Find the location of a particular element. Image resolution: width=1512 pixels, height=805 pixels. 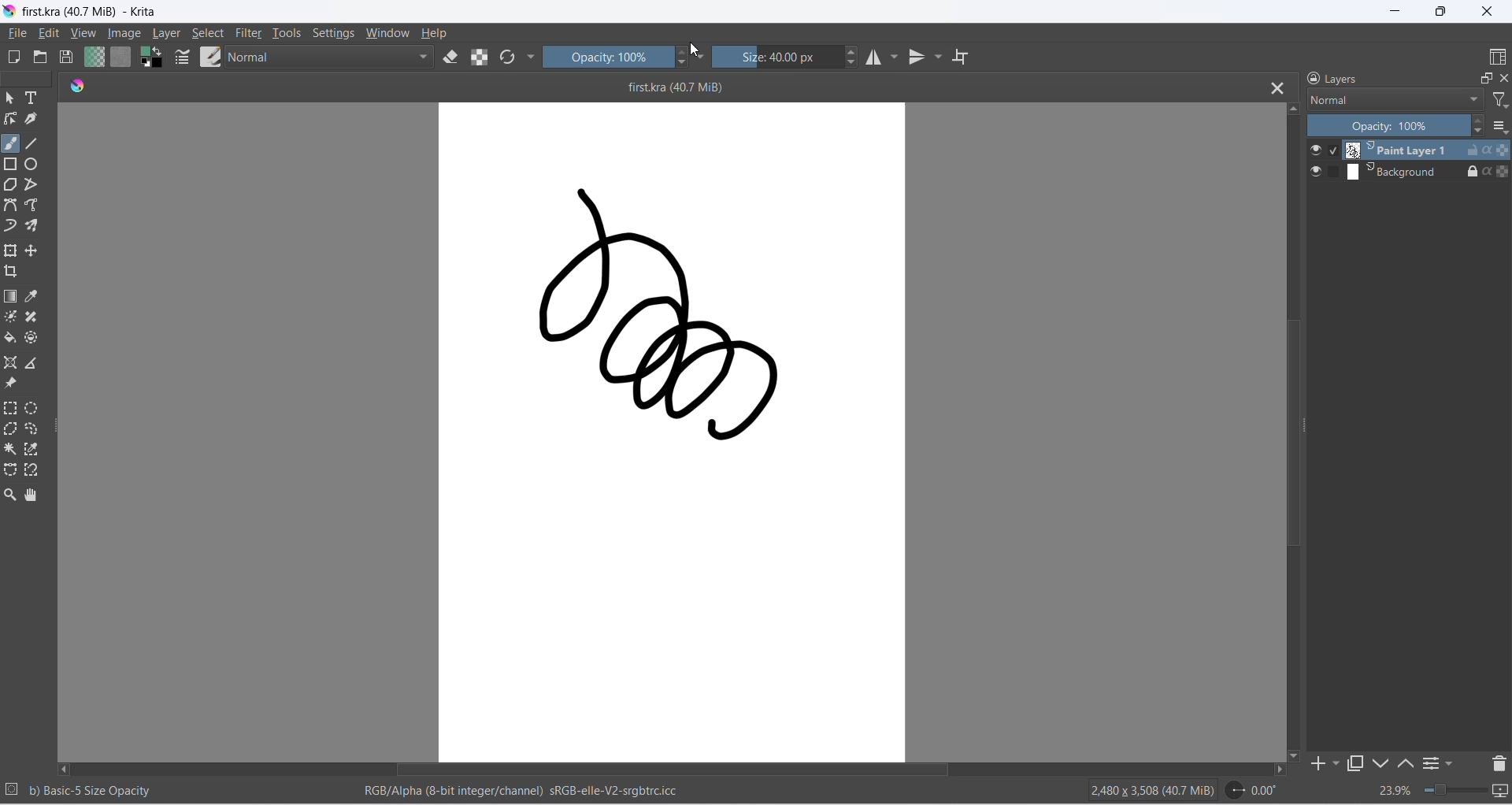

transform a layer is located at coordinates (11, 250).